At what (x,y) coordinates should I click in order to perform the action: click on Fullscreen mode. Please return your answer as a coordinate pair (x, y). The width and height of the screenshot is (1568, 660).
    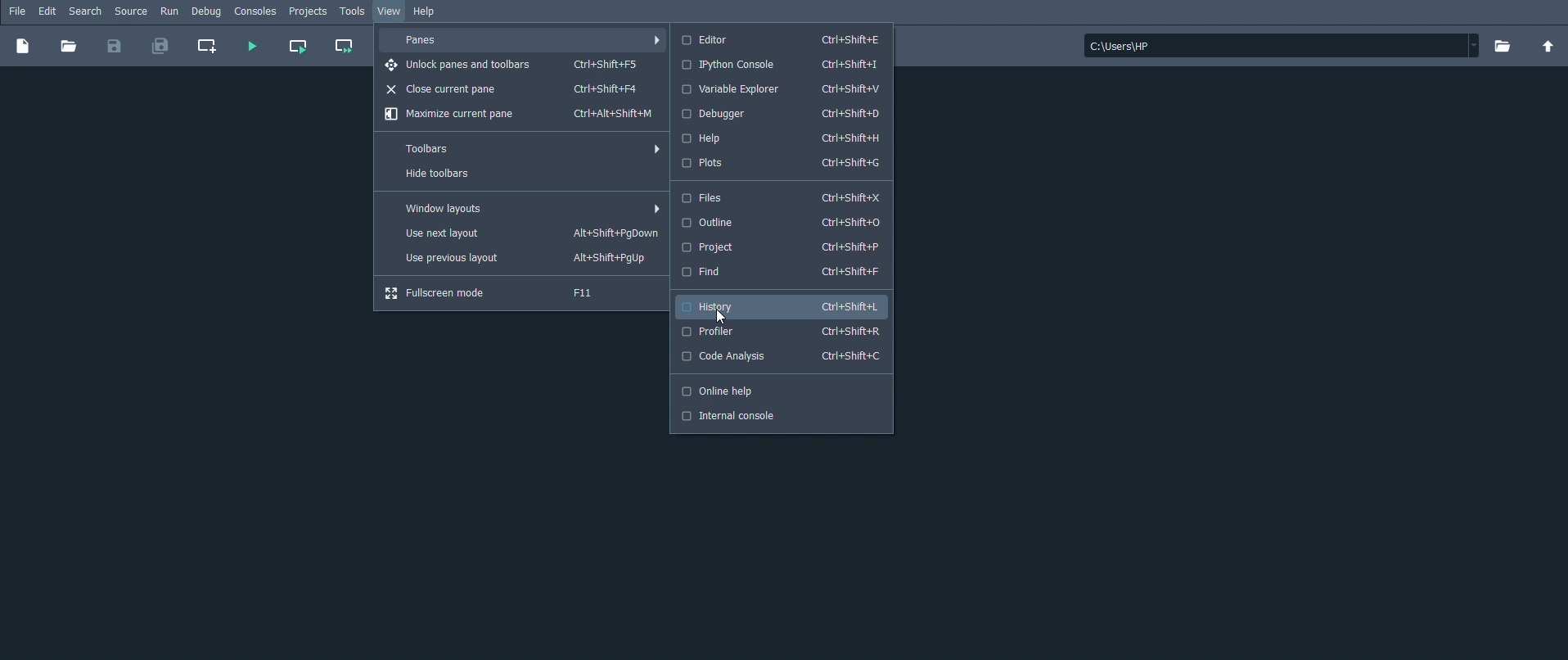
    Looking at the image, I should click on (524, 294).